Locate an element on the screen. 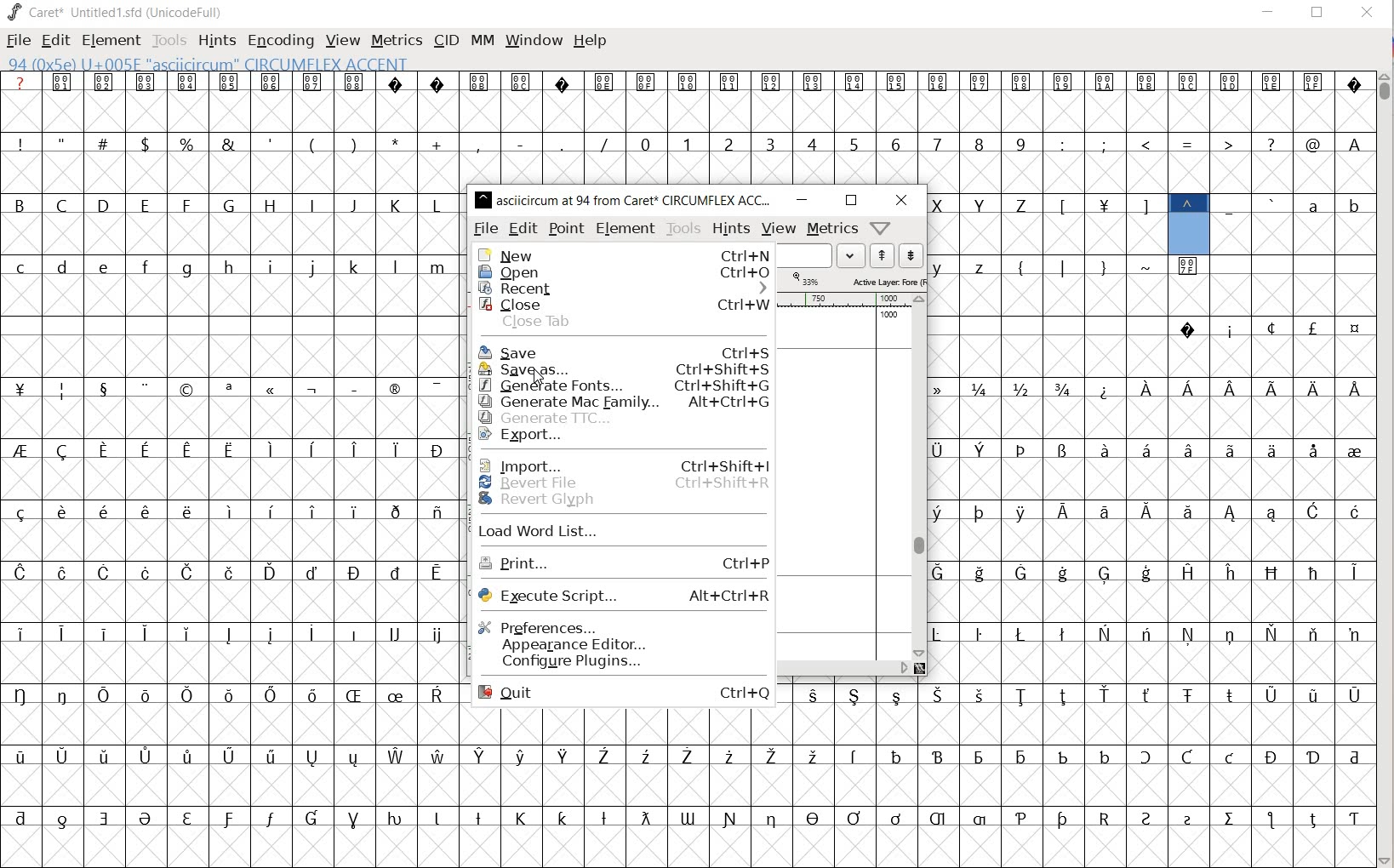 This screenshot has width=1394, height=868. view is located at coordinates (779, 229).